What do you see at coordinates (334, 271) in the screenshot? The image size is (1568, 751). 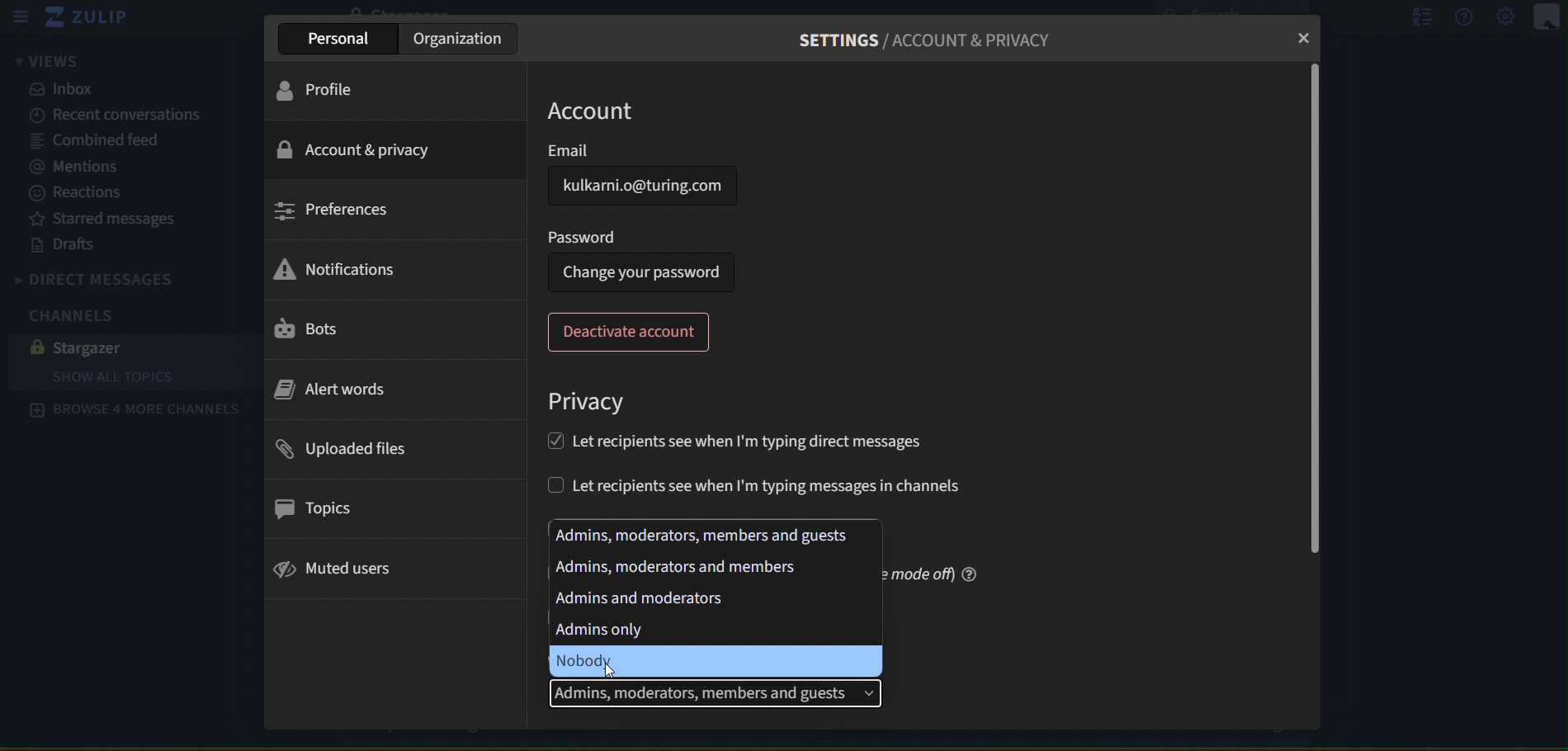 I see `notifications` at bounding box center [334, 271].